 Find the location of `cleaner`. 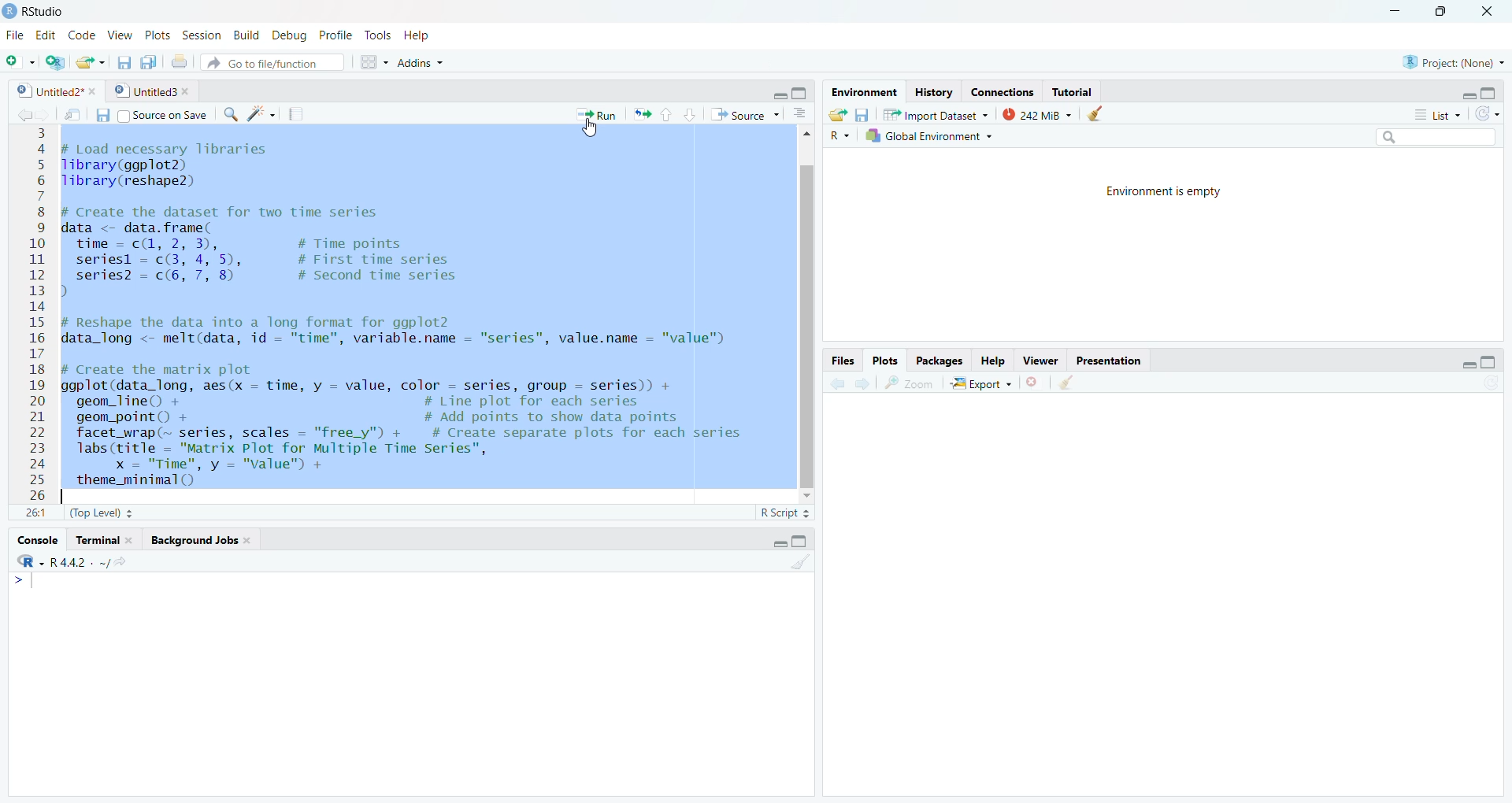

cleaner is located at coordinates (1066, 383).